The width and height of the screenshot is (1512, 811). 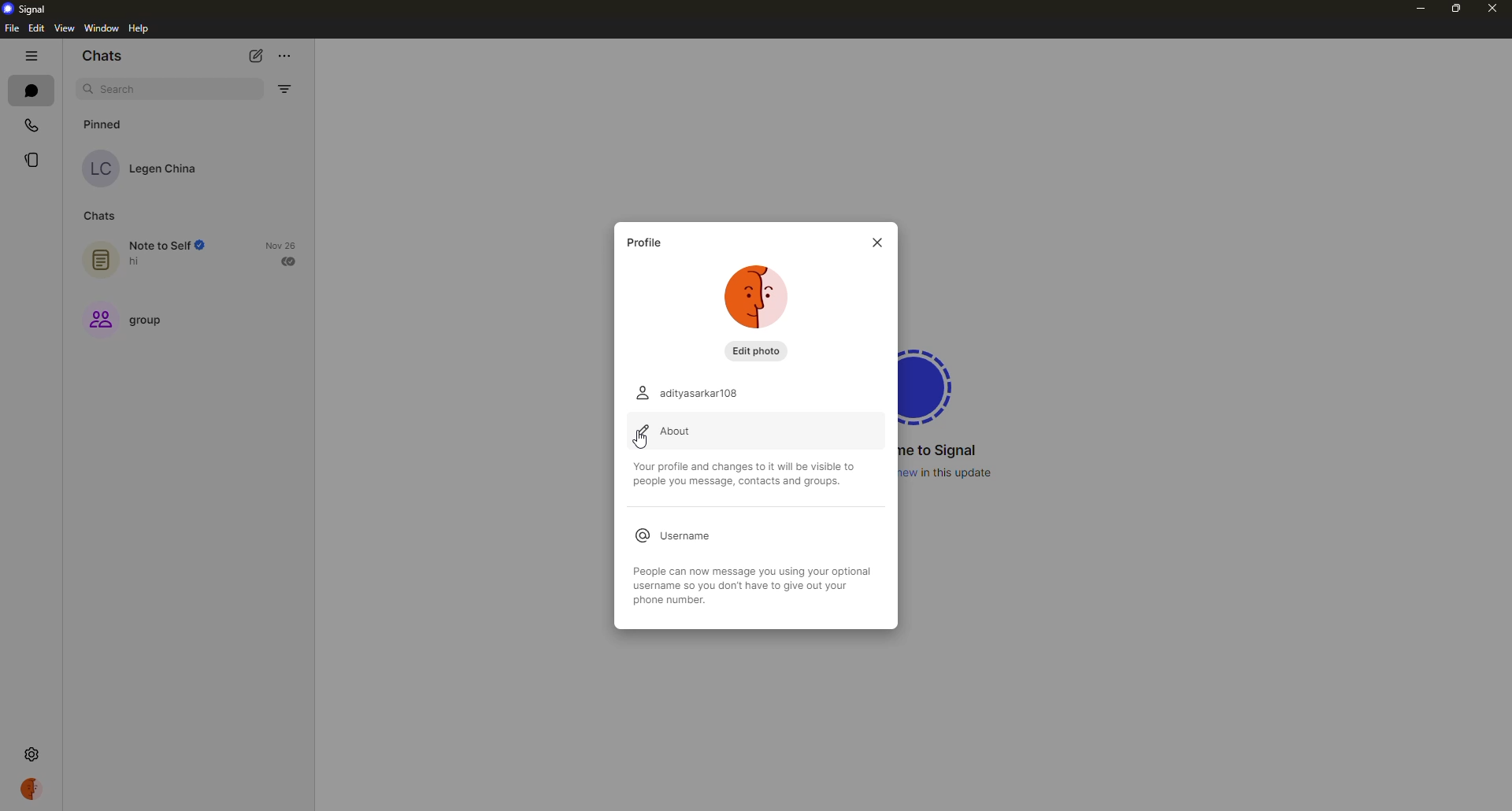 I want to click on profile, so click(x=33, y=788).